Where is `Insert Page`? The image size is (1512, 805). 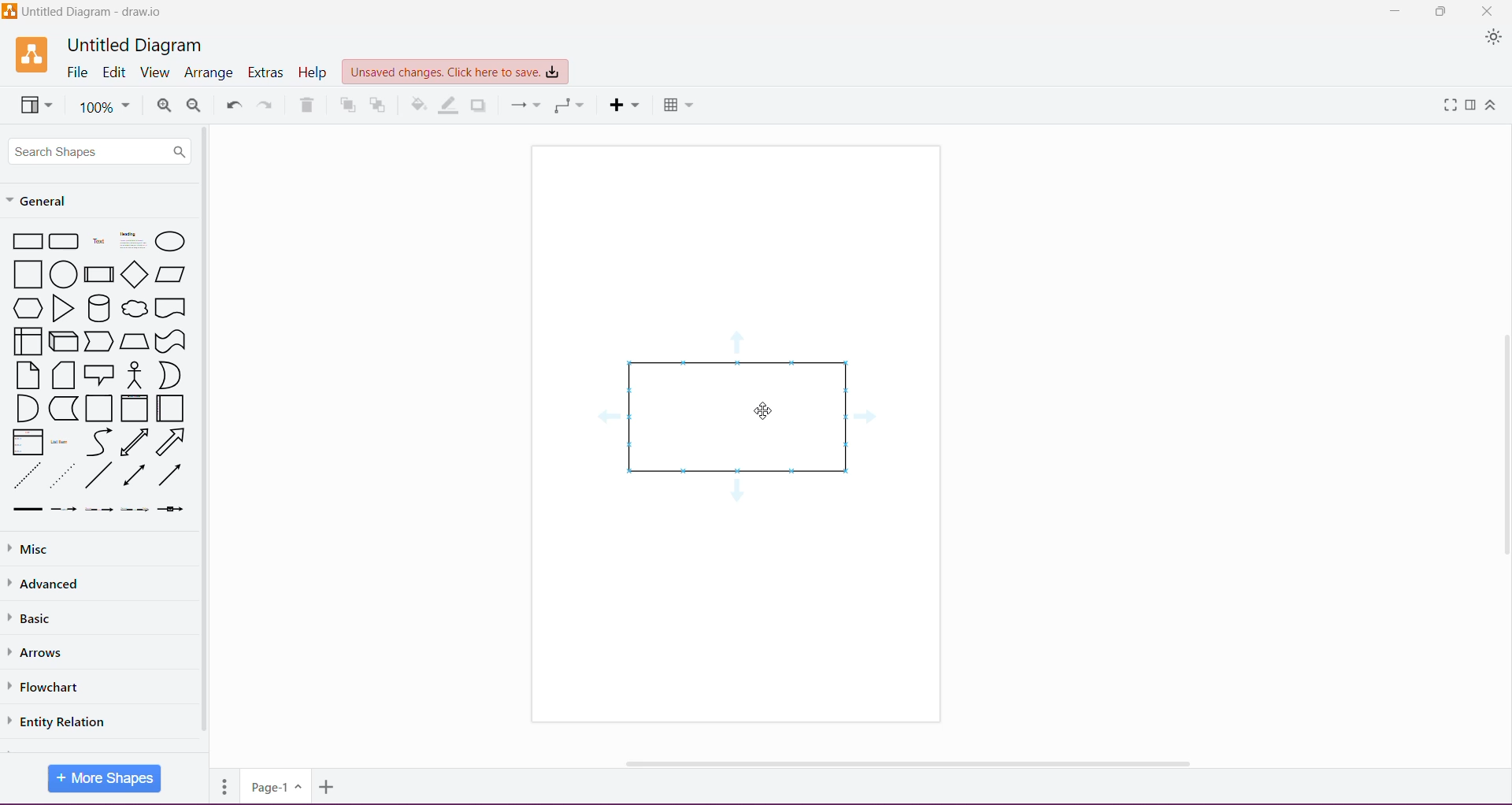
Insert Page is located at coordinates (329, 787).